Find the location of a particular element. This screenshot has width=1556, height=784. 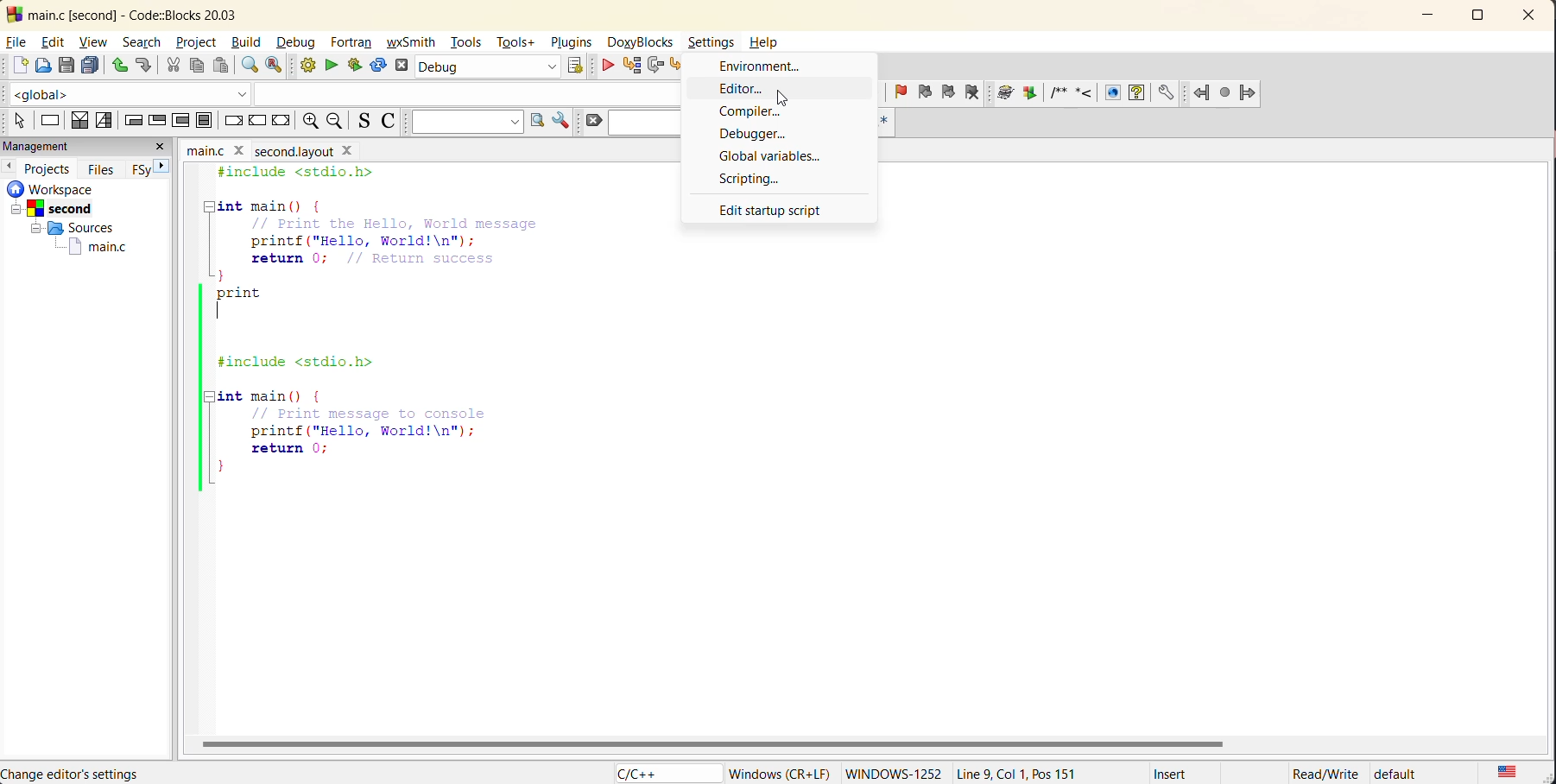

open is located at coordinates (45, 66).